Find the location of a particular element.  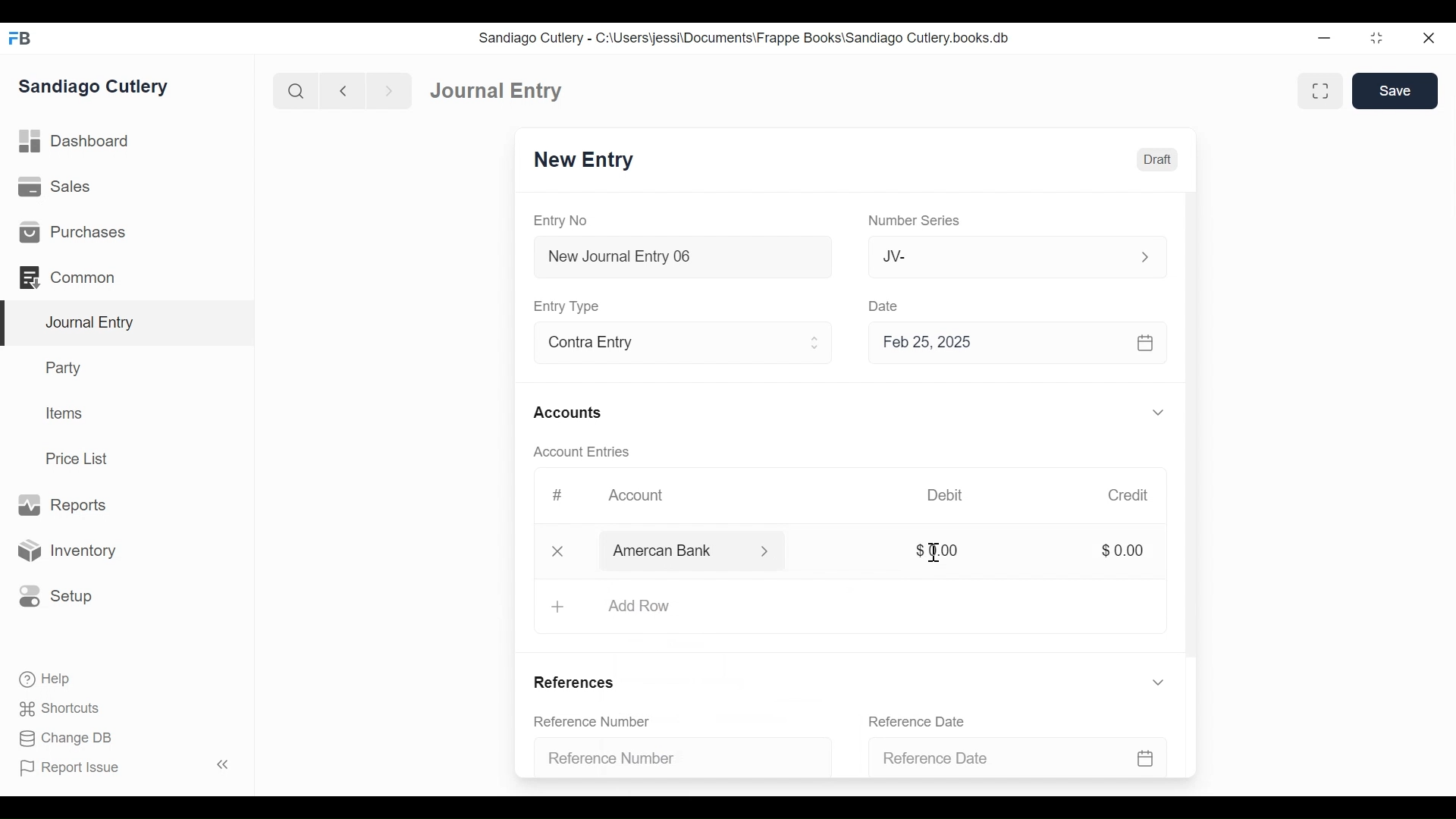

Expand is located at coordinates (815, 343).